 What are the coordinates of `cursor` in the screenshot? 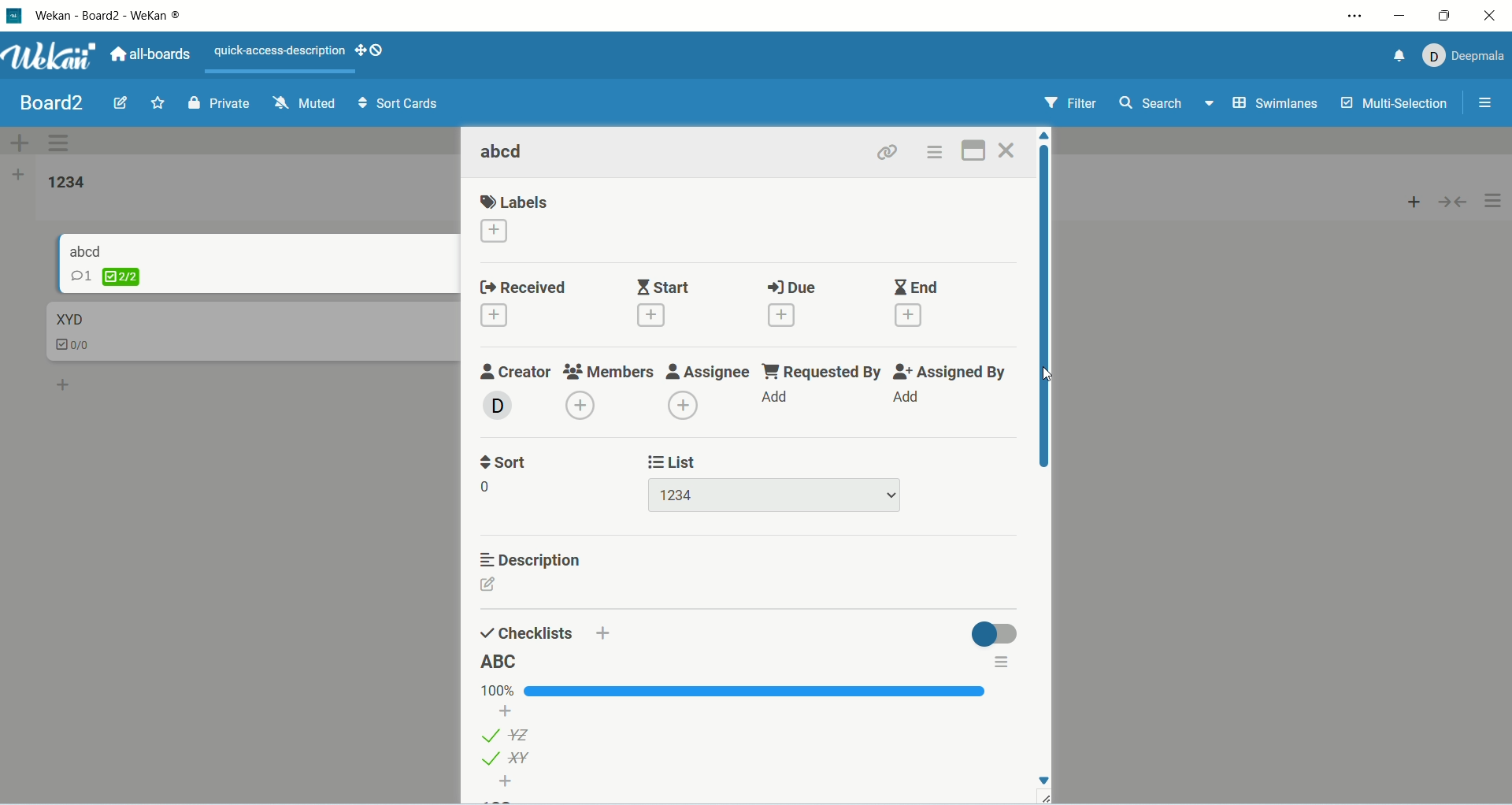 It's located at (1048, 375).